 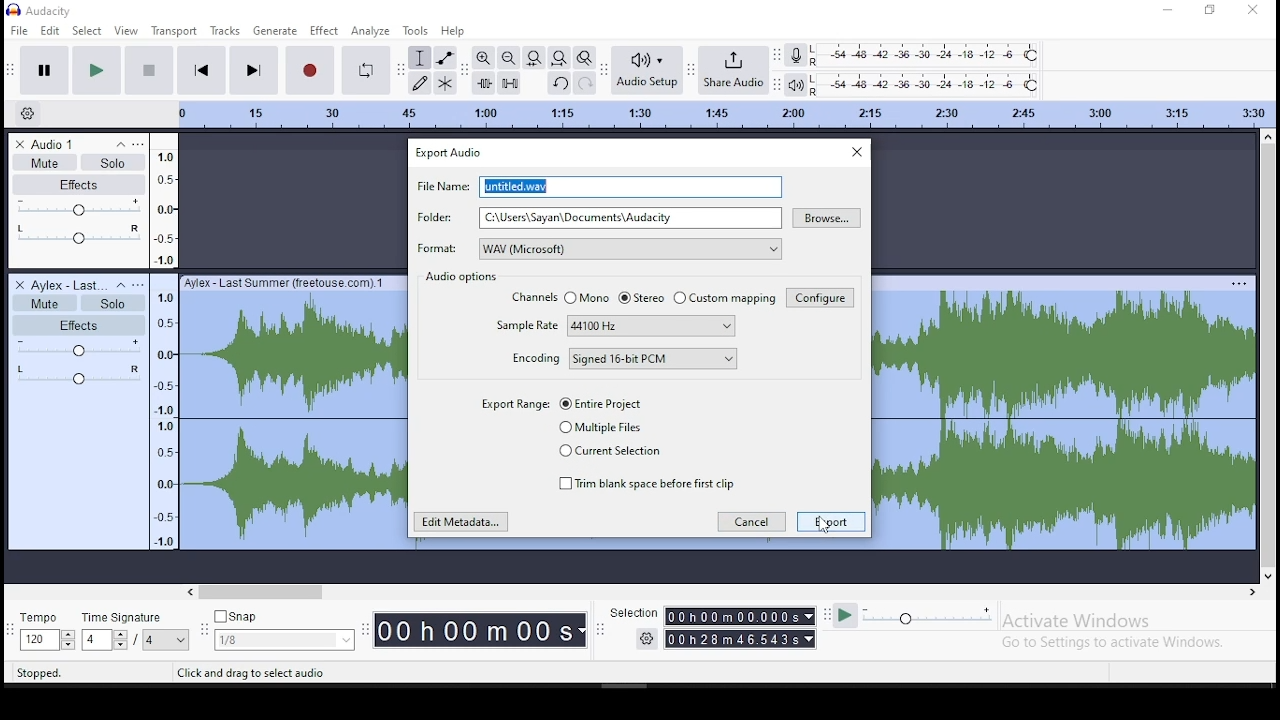 I want to click on mute, so click(x=46, y=303).